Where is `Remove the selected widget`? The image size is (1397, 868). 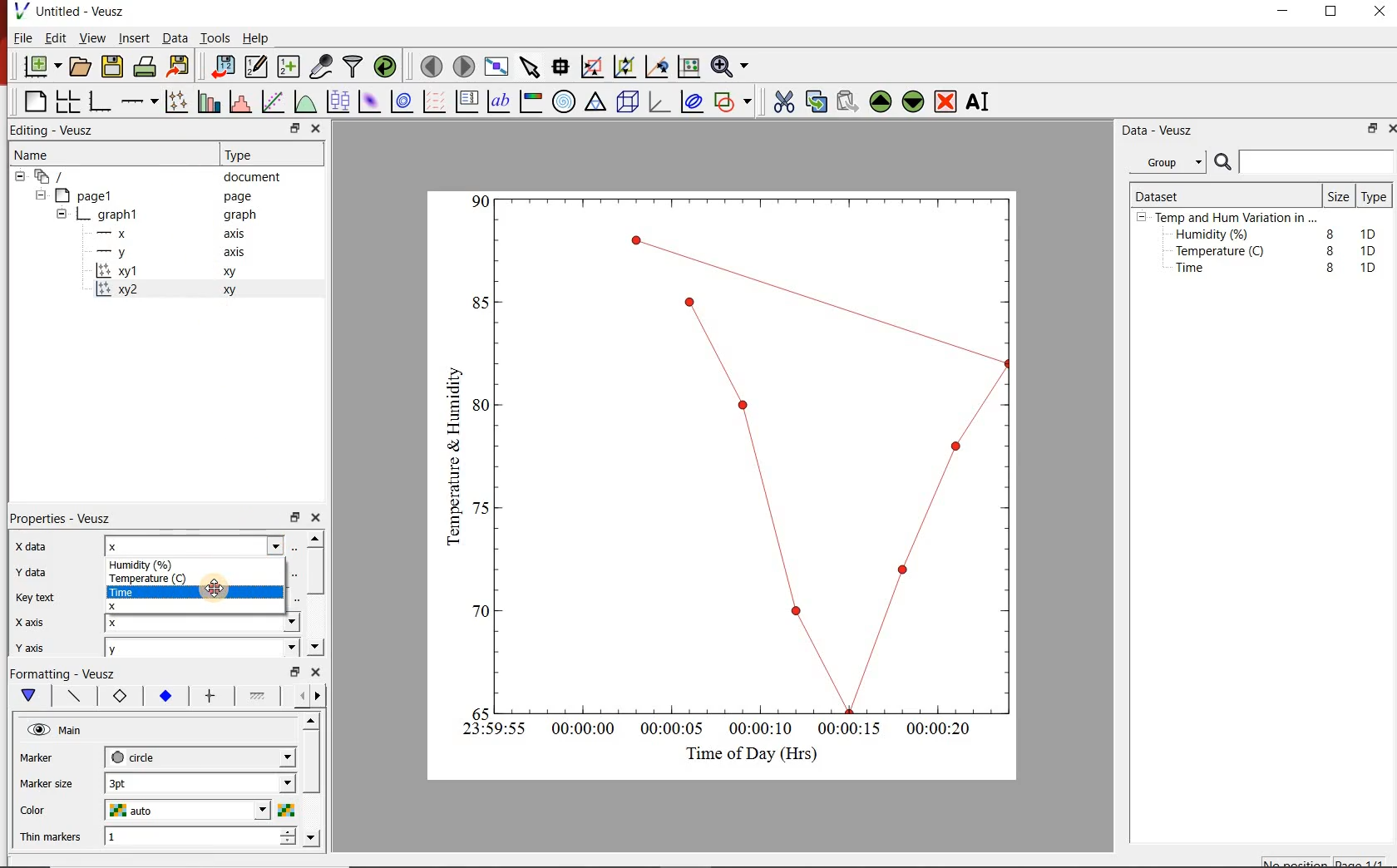
Remove the selected widget is located at coordinates (947, 101).